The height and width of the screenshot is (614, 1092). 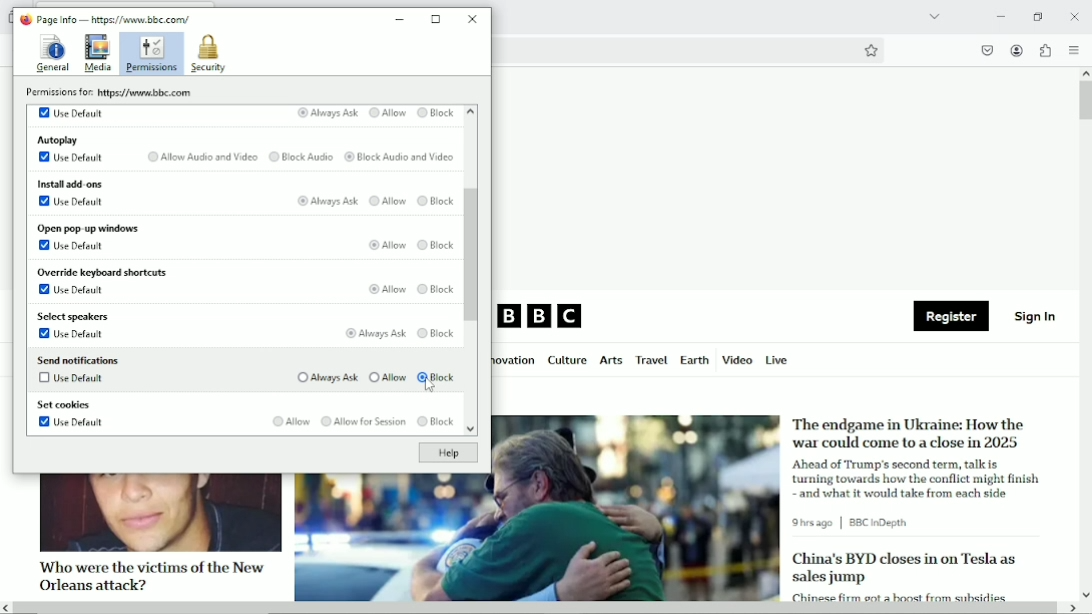 I want to click on Use default, so click(x=71, y=245).